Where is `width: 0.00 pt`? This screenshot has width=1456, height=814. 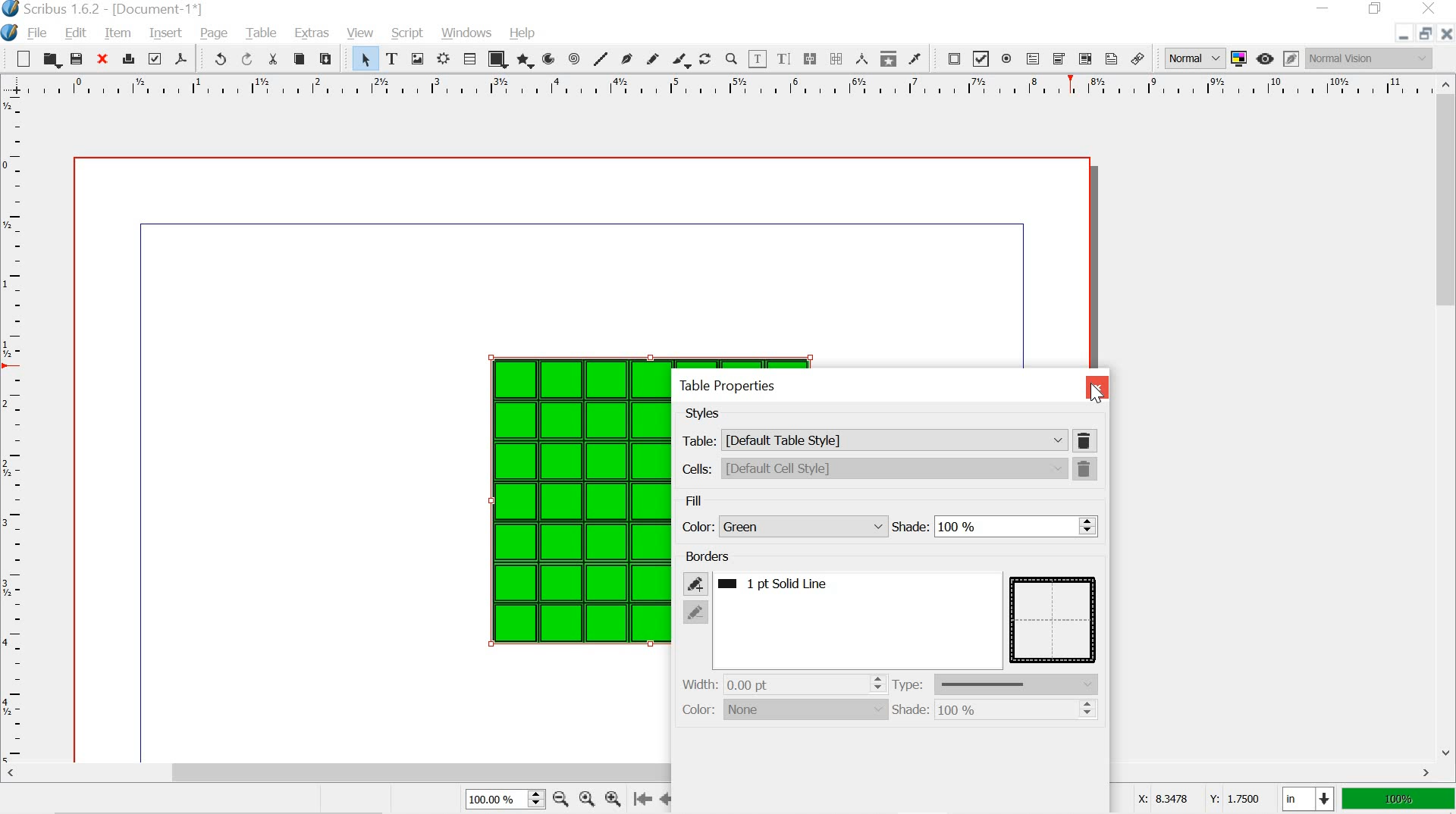
width: 0.00 pt is located at coordinates (734, 684).